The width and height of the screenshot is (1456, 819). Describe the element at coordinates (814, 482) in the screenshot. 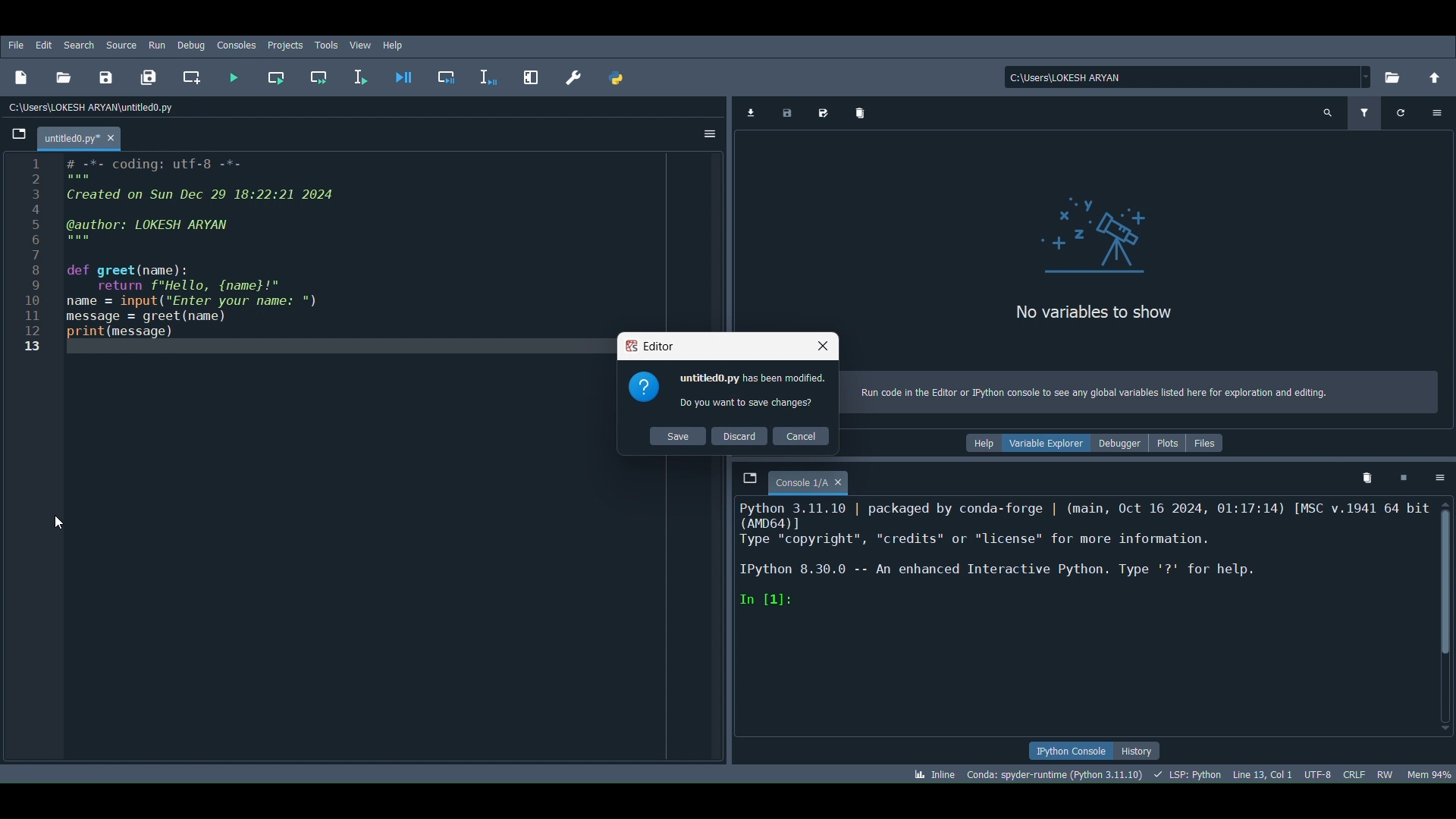

I see `Console` at that location.